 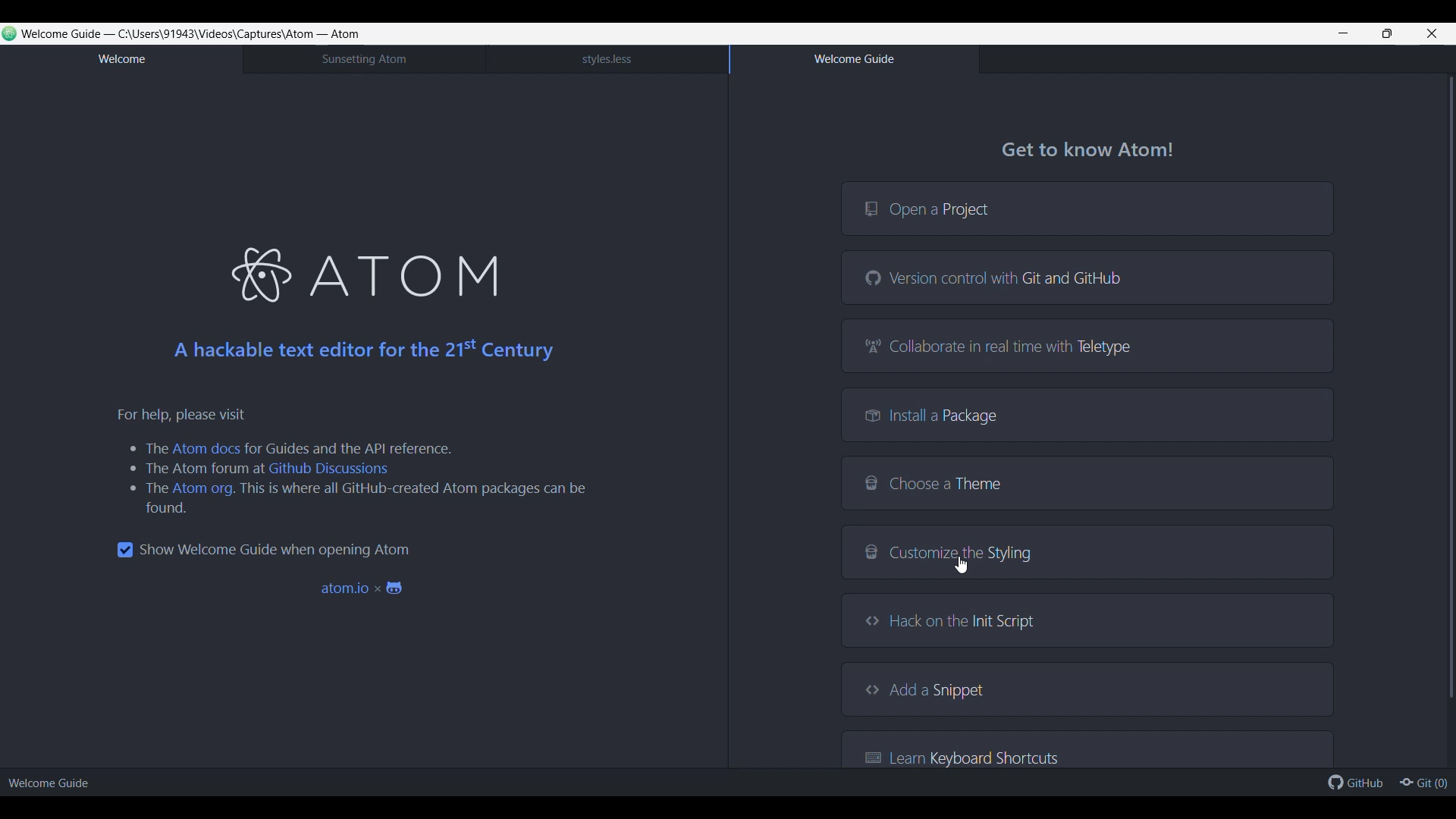 What do you see at coordinates (146, 448) in the screenshot?
I see `the` at bounding box center [146, 448].